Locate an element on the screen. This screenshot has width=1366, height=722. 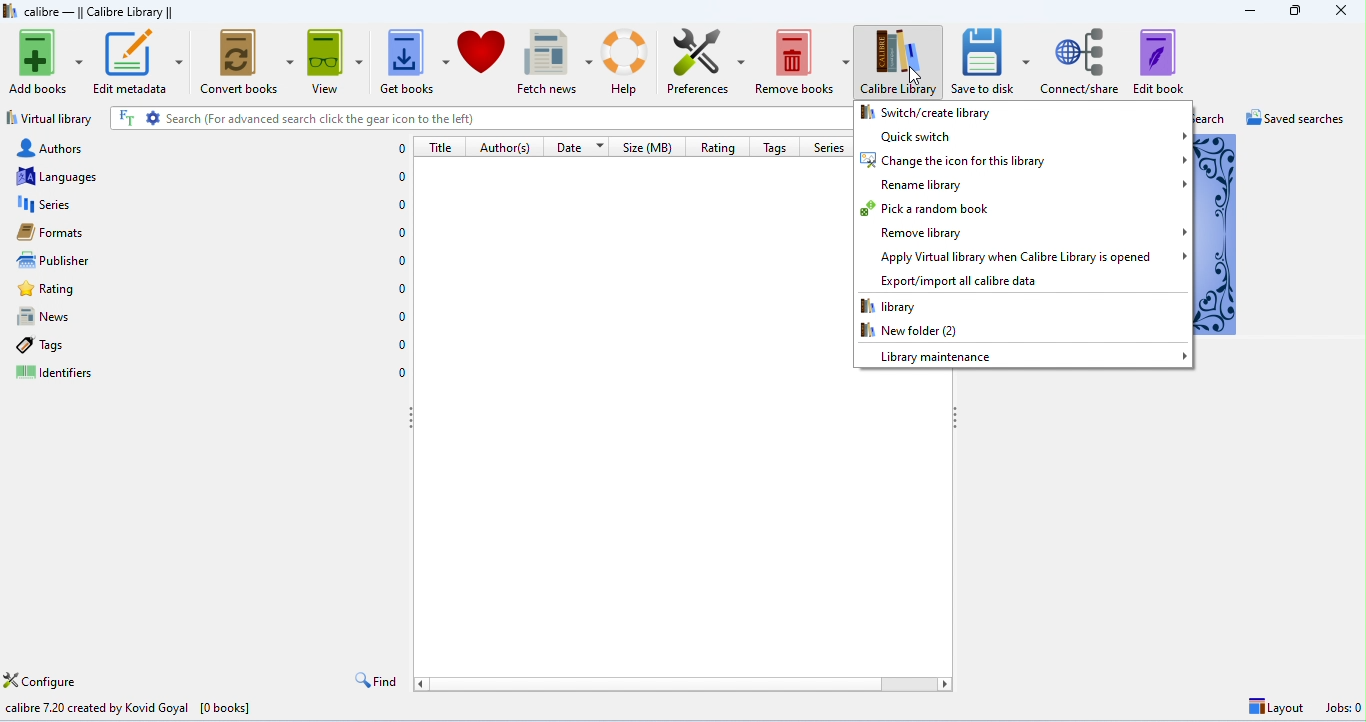
maximize is located at coordinates (1295, 11).